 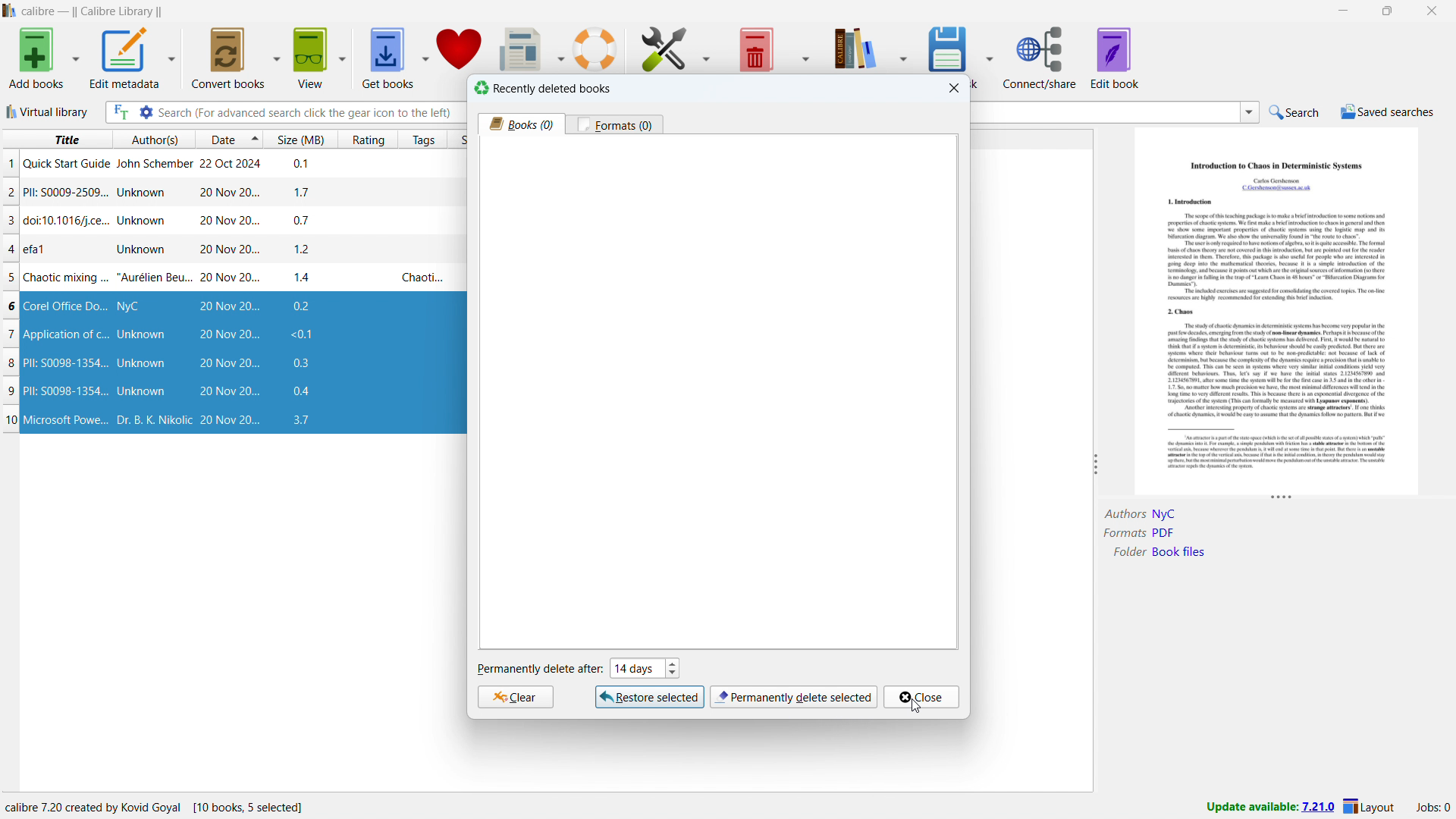 I want to click on donate to calibre, so click(x=460, y=48).